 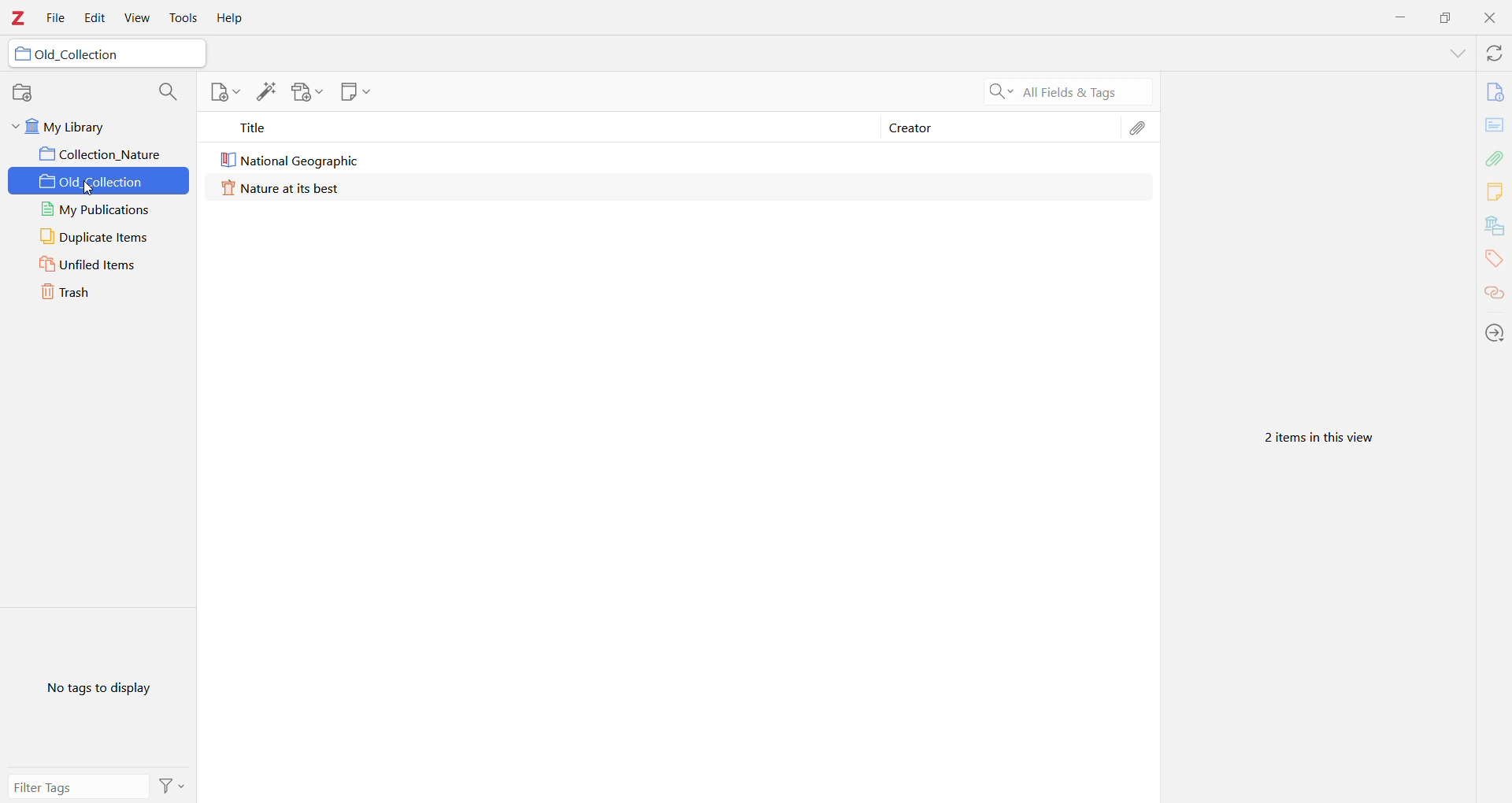 I want to click on Restore Down, so click(x=1446, y=17).